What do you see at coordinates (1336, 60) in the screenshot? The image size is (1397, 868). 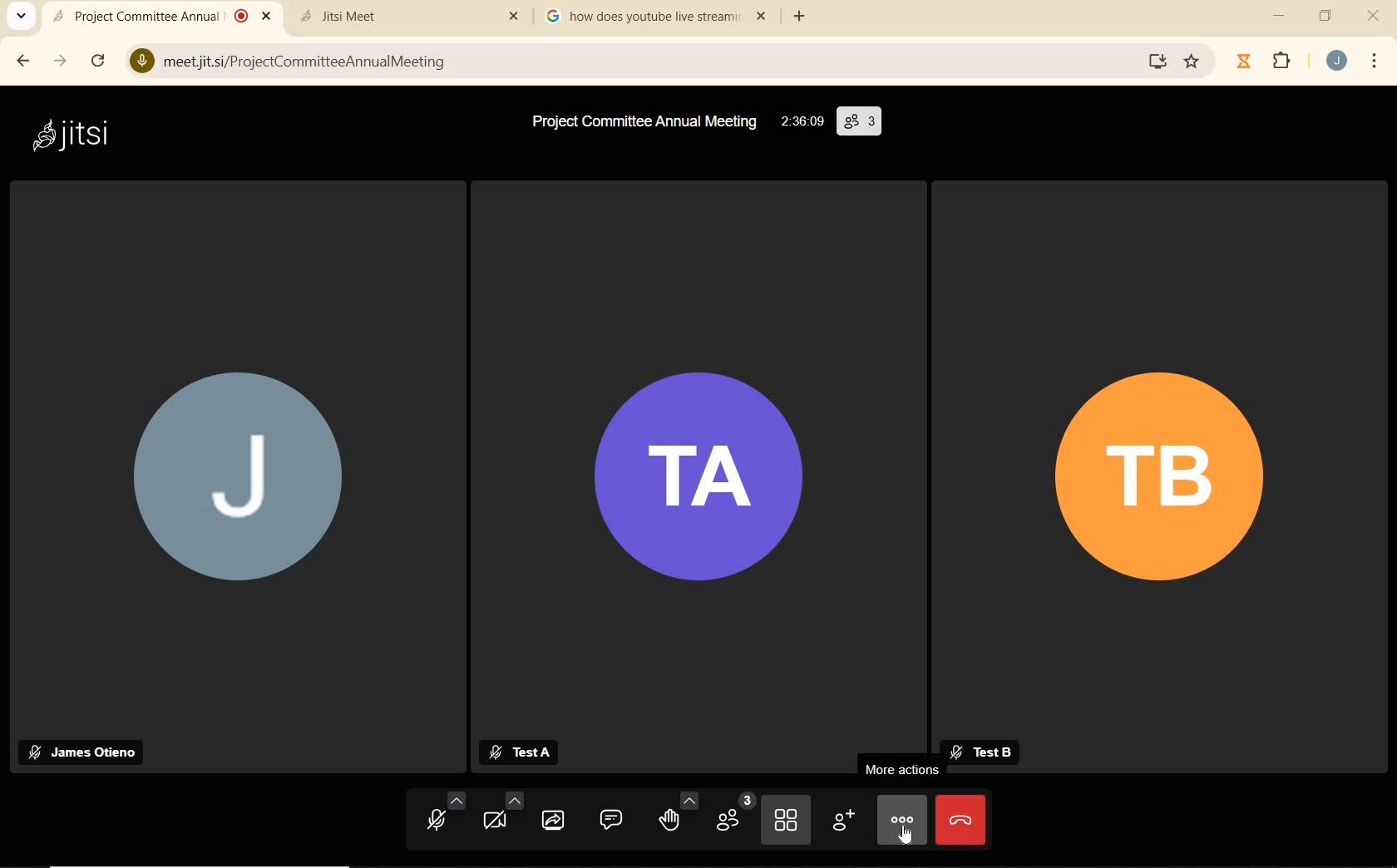 I see `ACCOUNT` at bounding box center [1336, 60].